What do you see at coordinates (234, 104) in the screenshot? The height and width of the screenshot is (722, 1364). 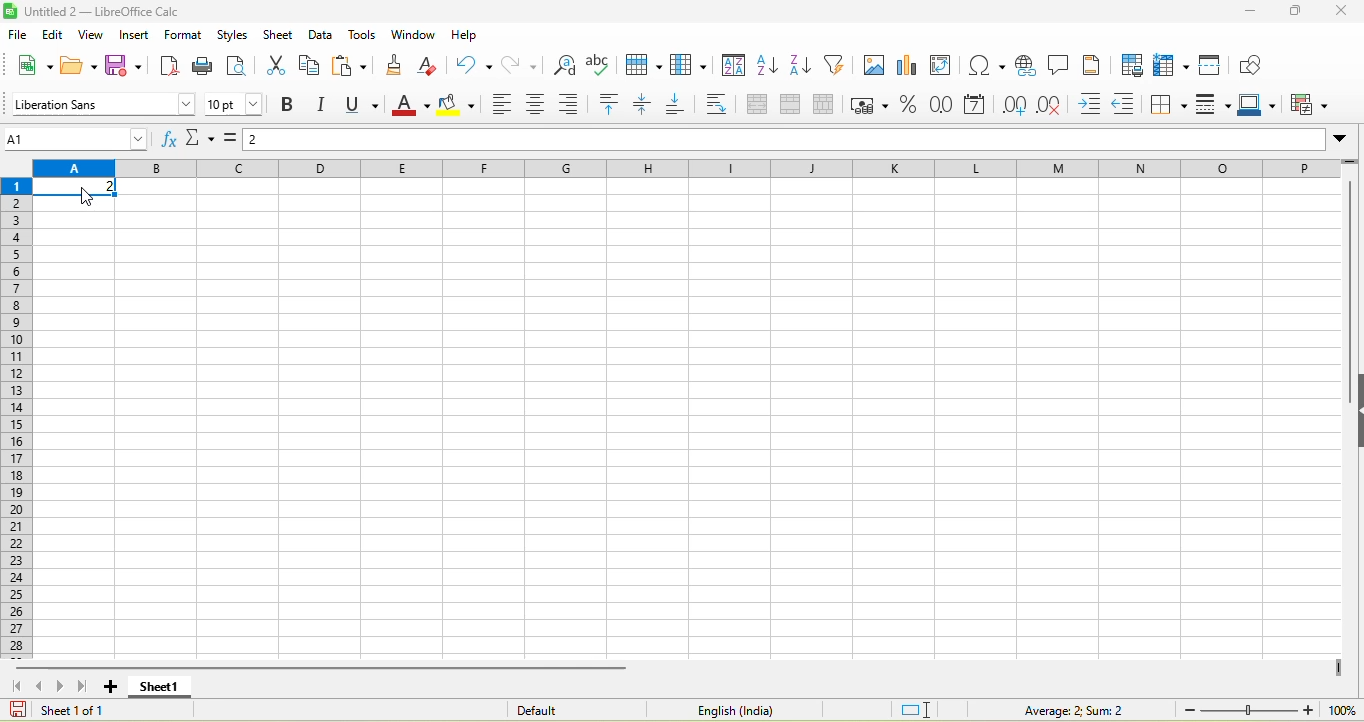 I see `font size` at bounding box center [234, 104].